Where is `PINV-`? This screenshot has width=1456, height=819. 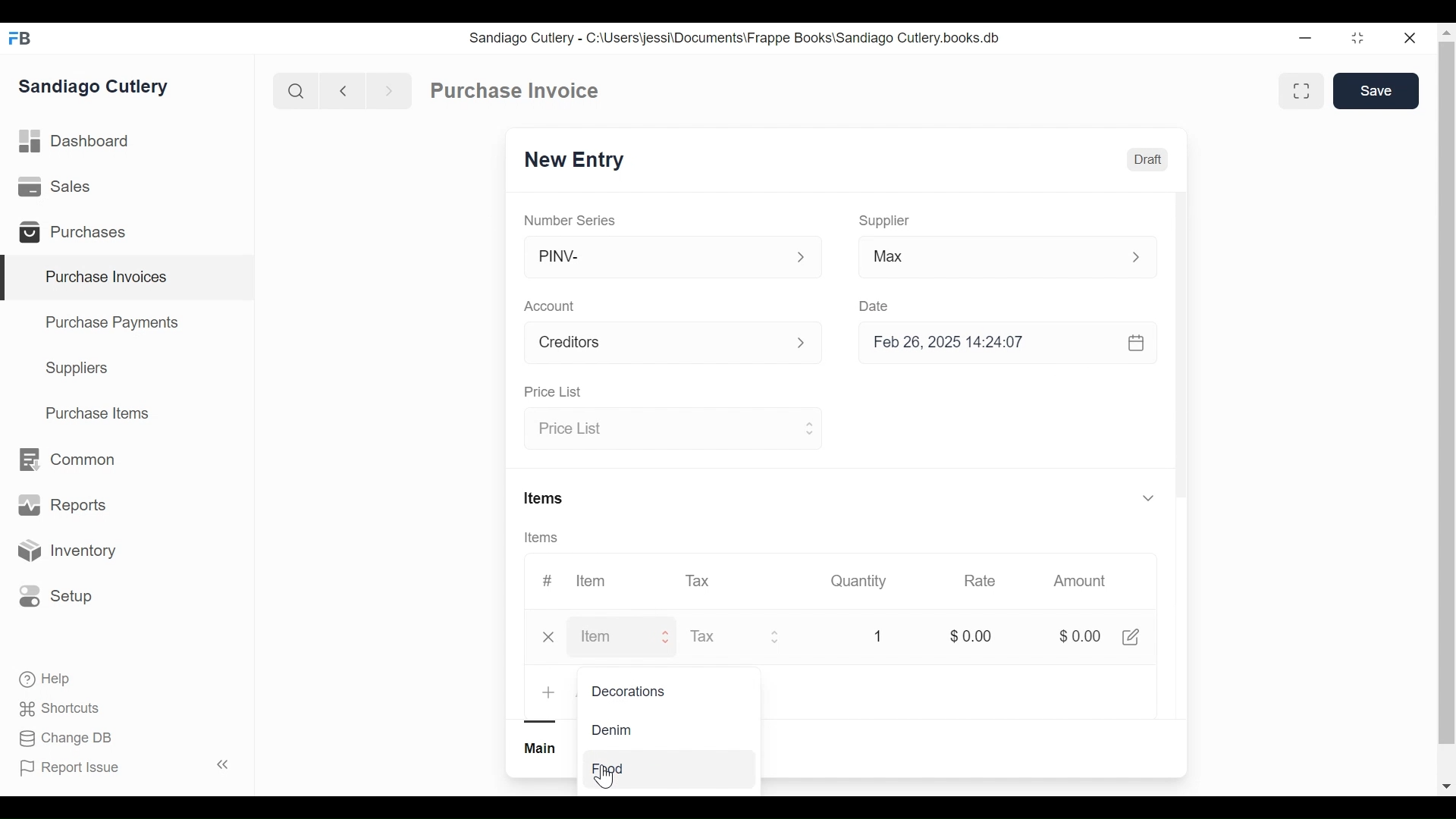
PINV- is located at coordinates (657, 258).